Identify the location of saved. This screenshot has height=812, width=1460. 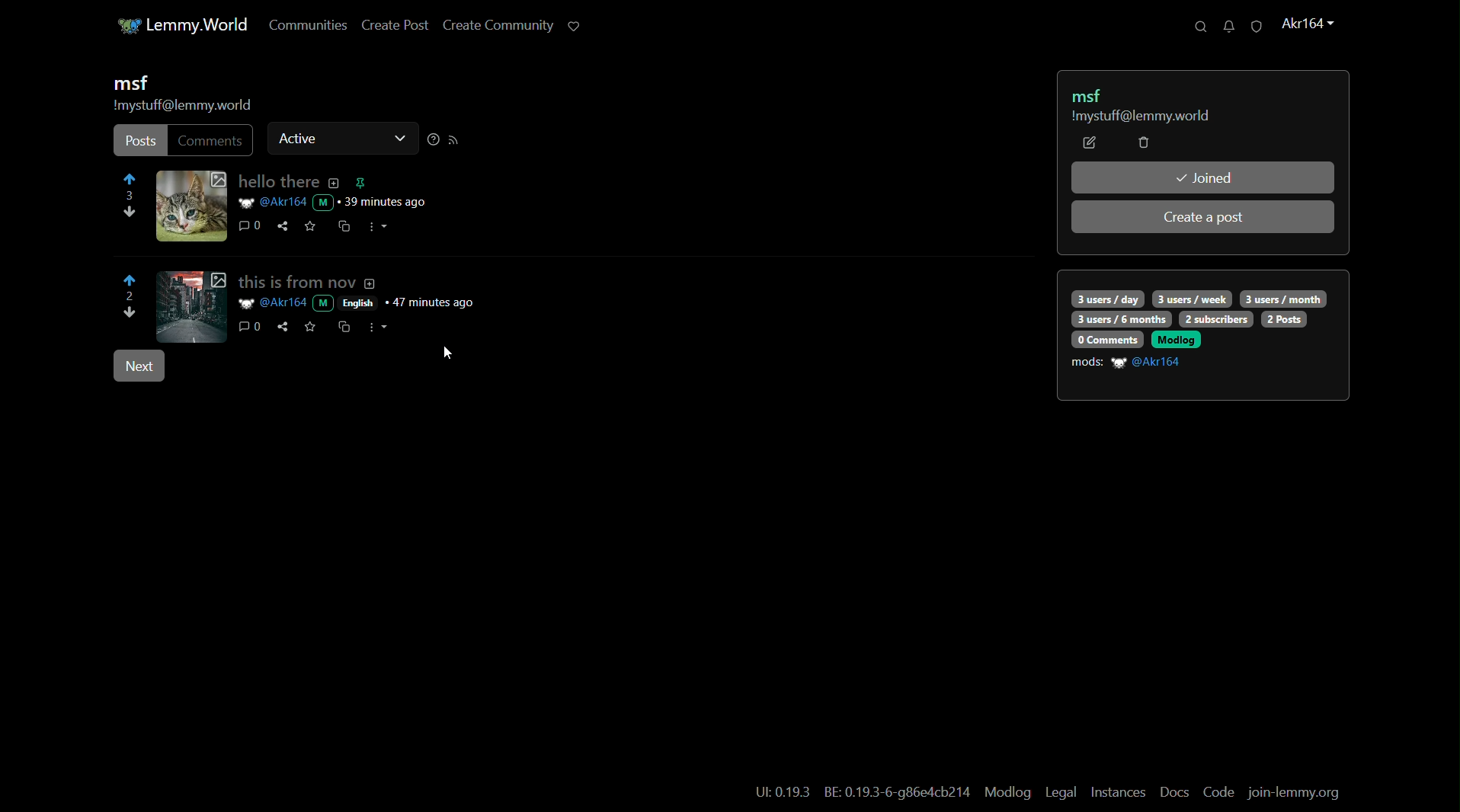
(311, 225).